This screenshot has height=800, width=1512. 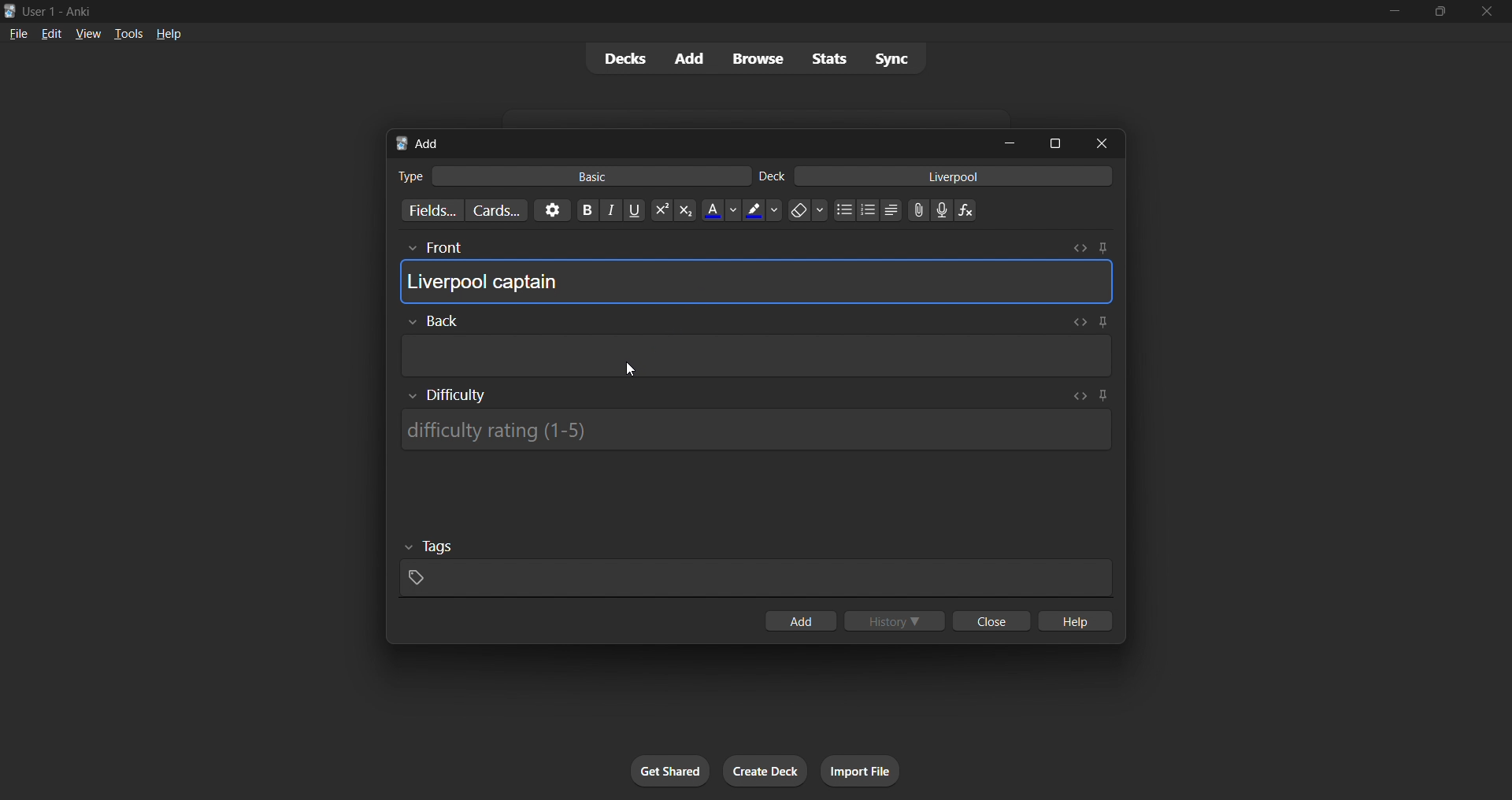 I want to click on Record audio, so click(x=942, y=210).